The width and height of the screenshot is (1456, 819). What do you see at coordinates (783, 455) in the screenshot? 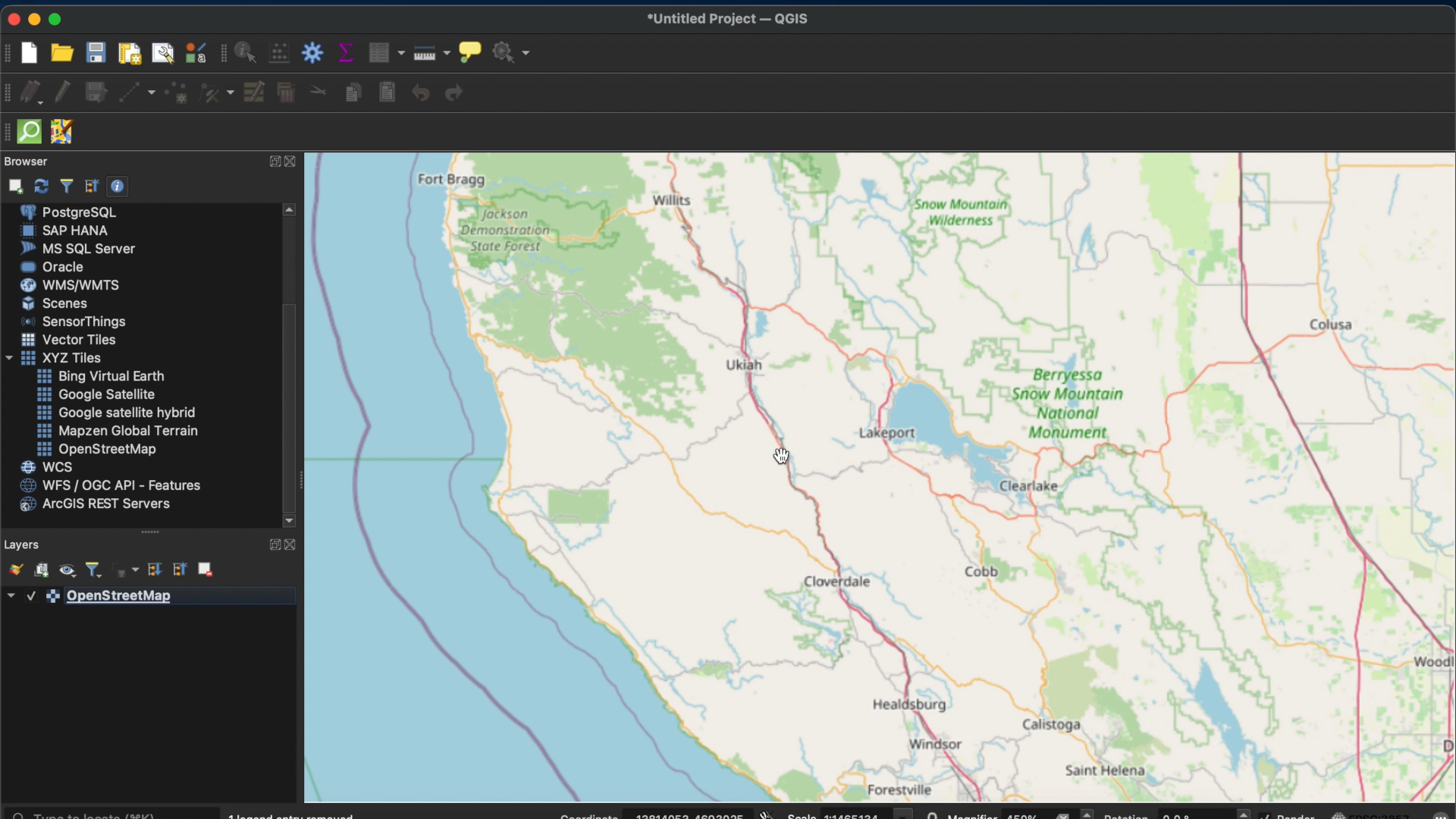
I see `cursor` at bounding box center [783, 455].